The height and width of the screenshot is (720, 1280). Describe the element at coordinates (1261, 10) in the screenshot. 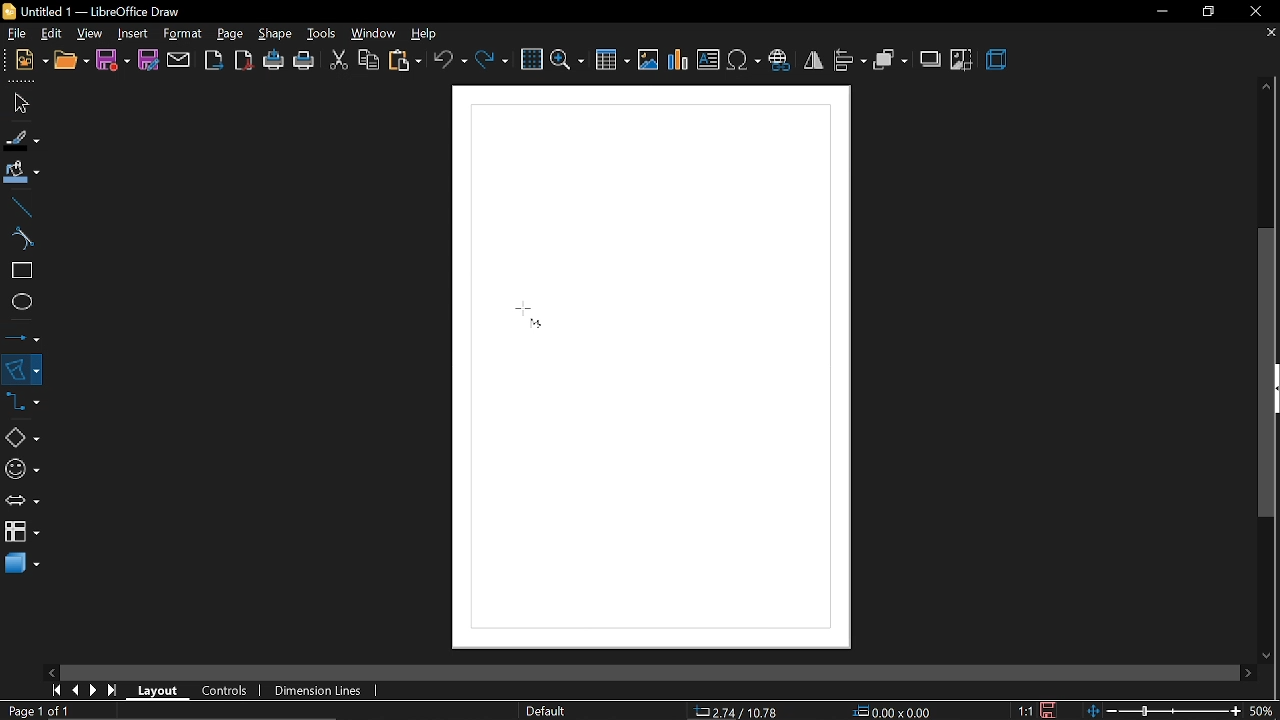

I see `close` at that location.